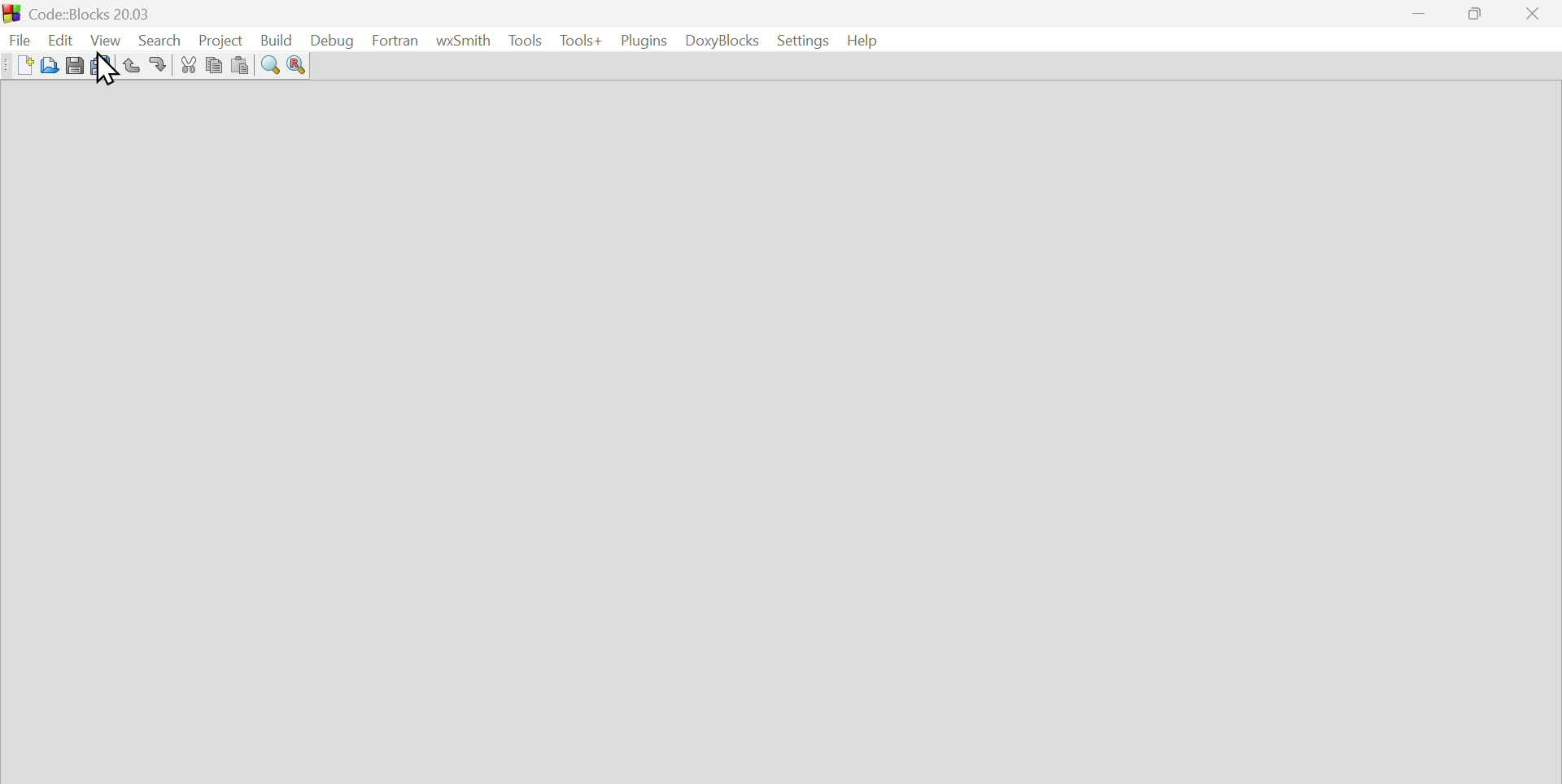 This screenshot has width=1562, height=784. What do you see at coordinates (269, 63) in the screenshot?
I see `find` at bounding box center [269, 63].